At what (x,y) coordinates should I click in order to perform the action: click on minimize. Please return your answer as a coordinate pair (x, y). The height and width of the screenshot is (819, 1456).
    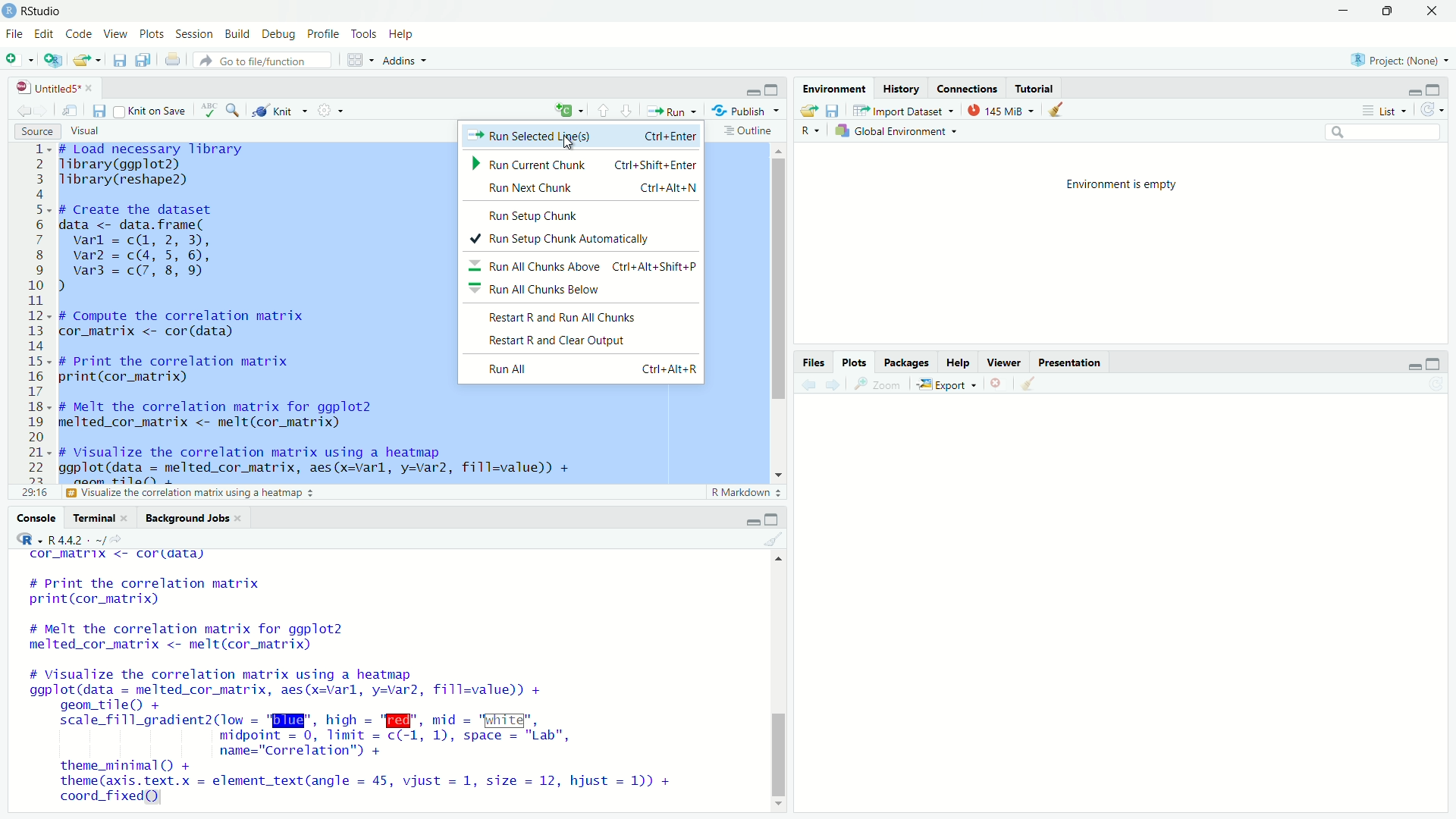
    Looking at the image, I should click on (1416, 365).